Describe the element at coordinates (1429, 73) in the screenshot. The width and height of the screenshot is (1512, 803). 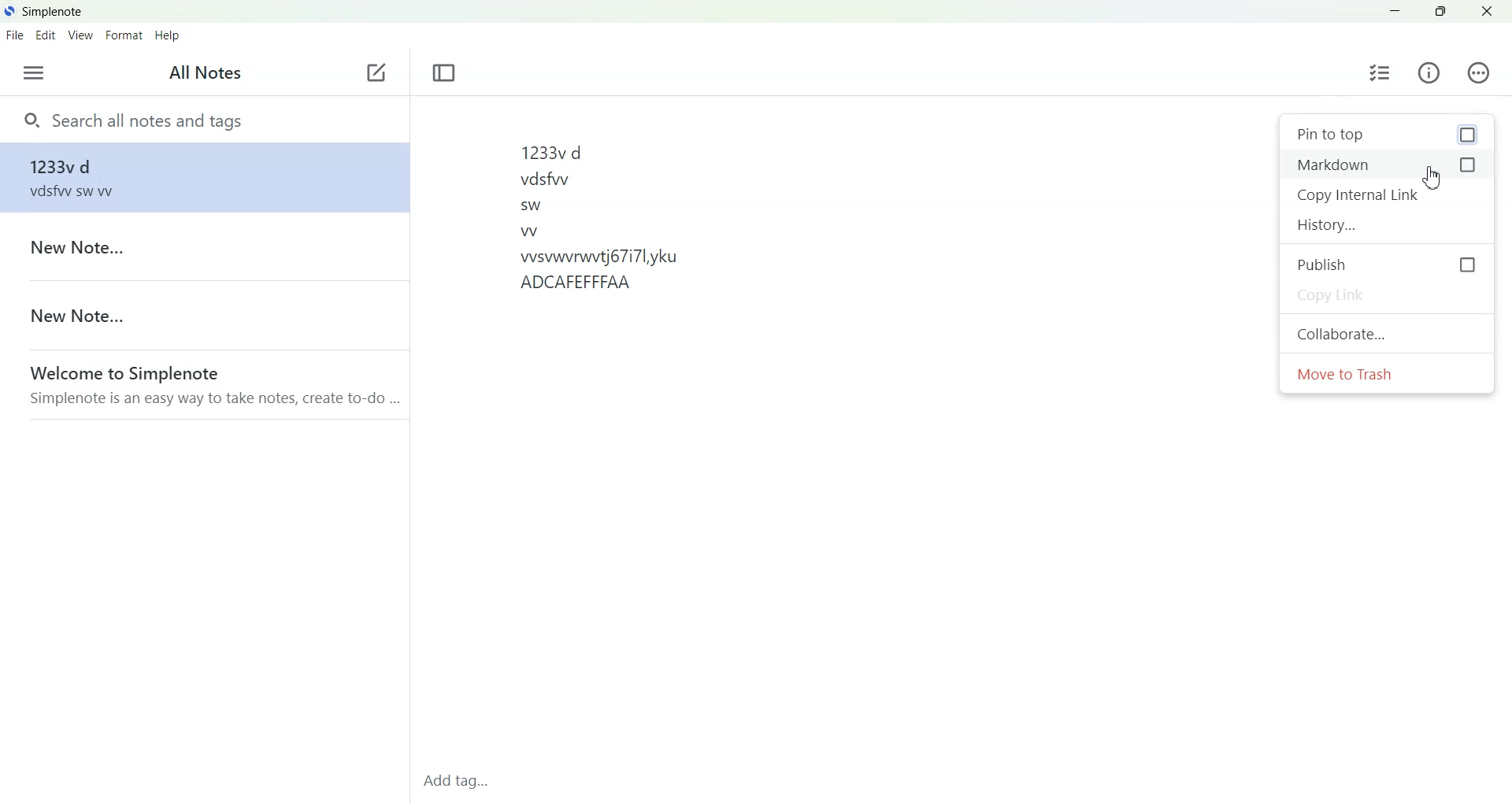
I see `Info` at that location.